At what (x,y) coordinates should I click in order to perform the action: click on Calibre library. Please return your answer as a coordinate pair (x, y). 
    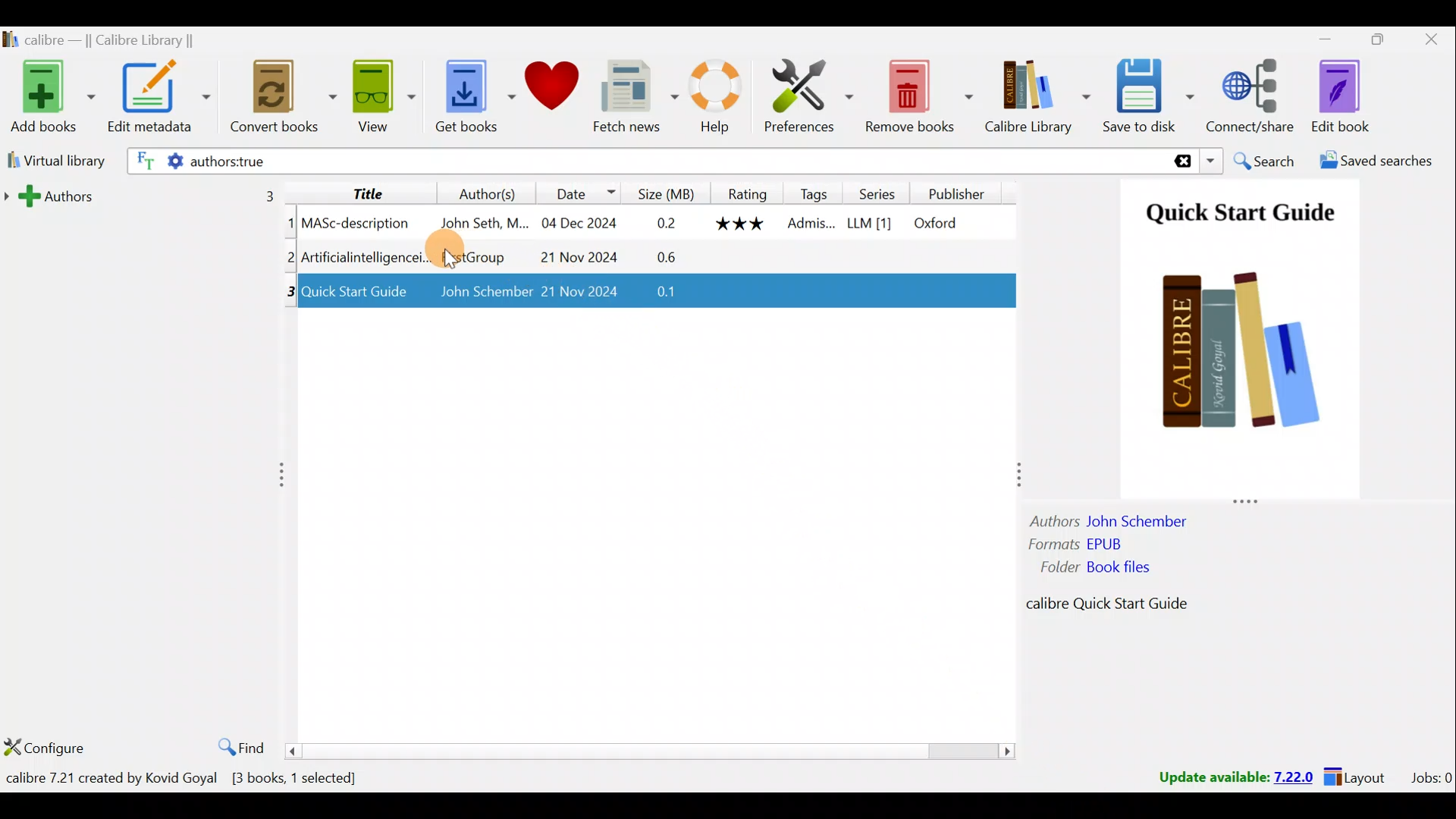
    Looking at the image, I should click on (122, 39).